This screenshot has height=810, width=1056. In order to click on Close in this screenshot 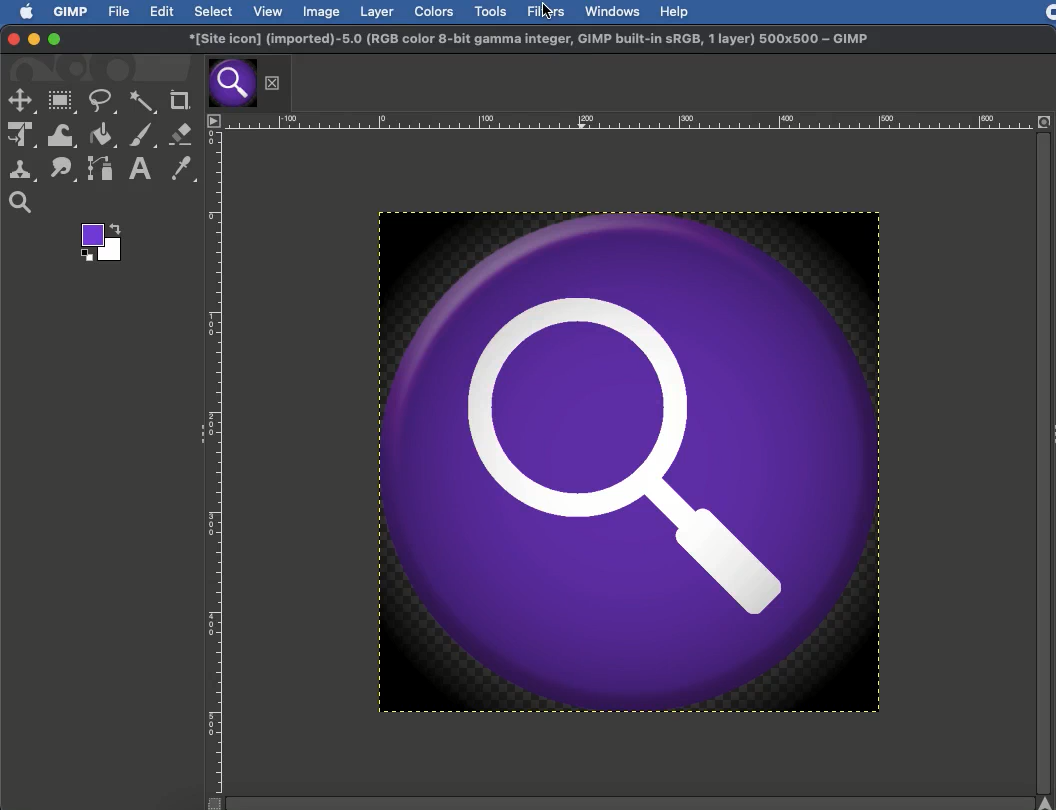, I will do `click(13, 38)`.